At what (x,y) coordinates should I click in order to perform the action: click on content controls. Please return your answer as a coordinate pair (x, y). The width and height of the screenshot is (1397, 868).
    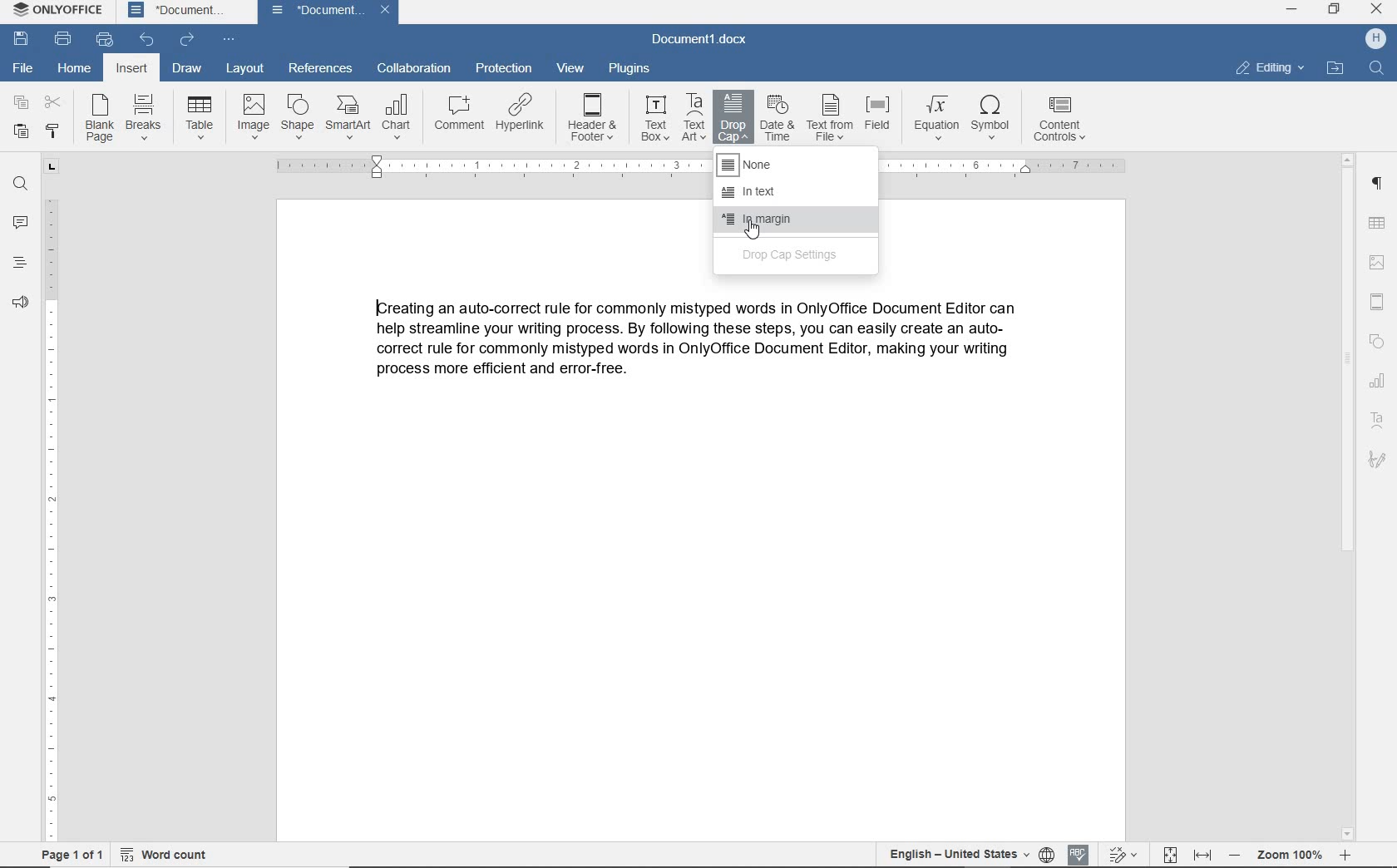
    Looking at the image, I should click on (1063, 121).